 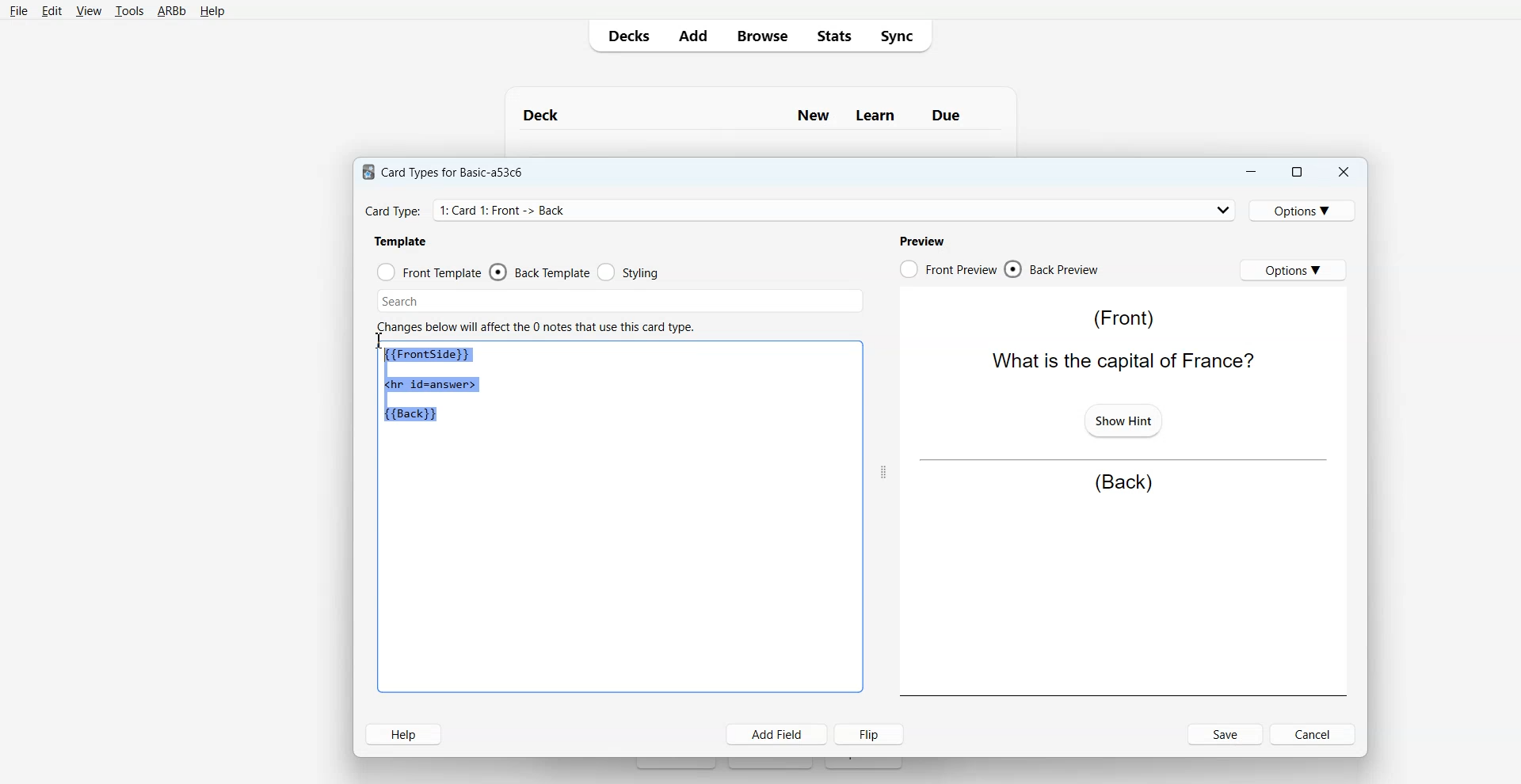 I want to click on (Back), so click(x=1123, y=483).